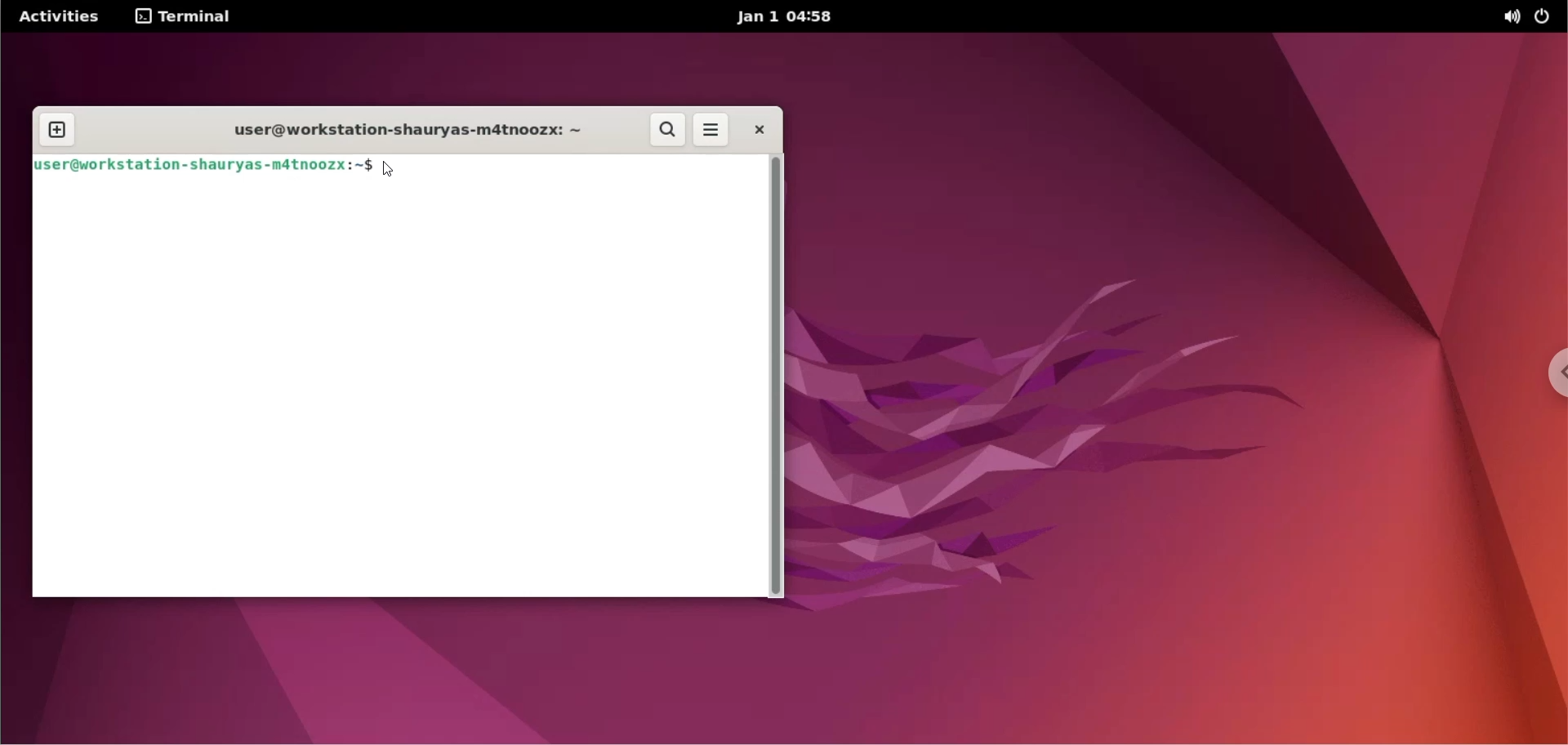 Image resolution: width=1568 pixels, height=745 pixels. What do you see at coordinates (1547, 16) in the screenshot?
I see `power options` at bounding box center [1547, 16].